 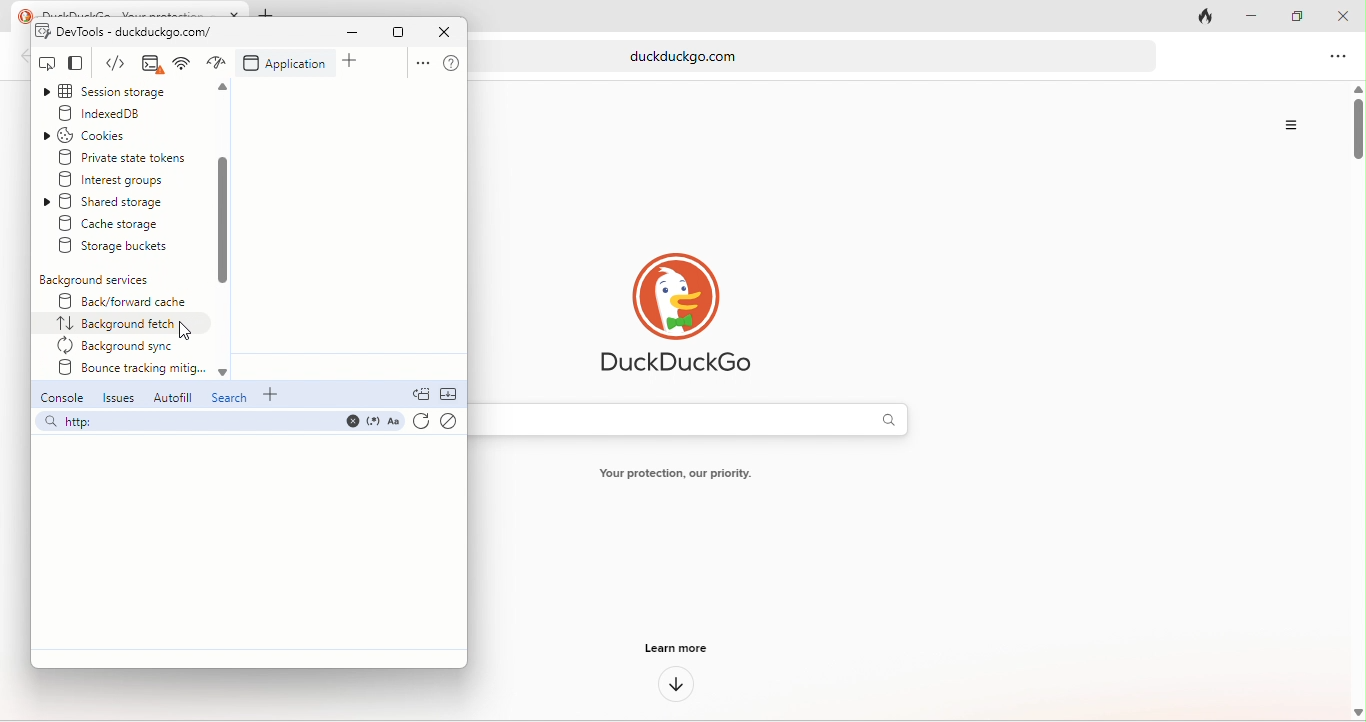 I want to click on application, so click(x=286, y=64).